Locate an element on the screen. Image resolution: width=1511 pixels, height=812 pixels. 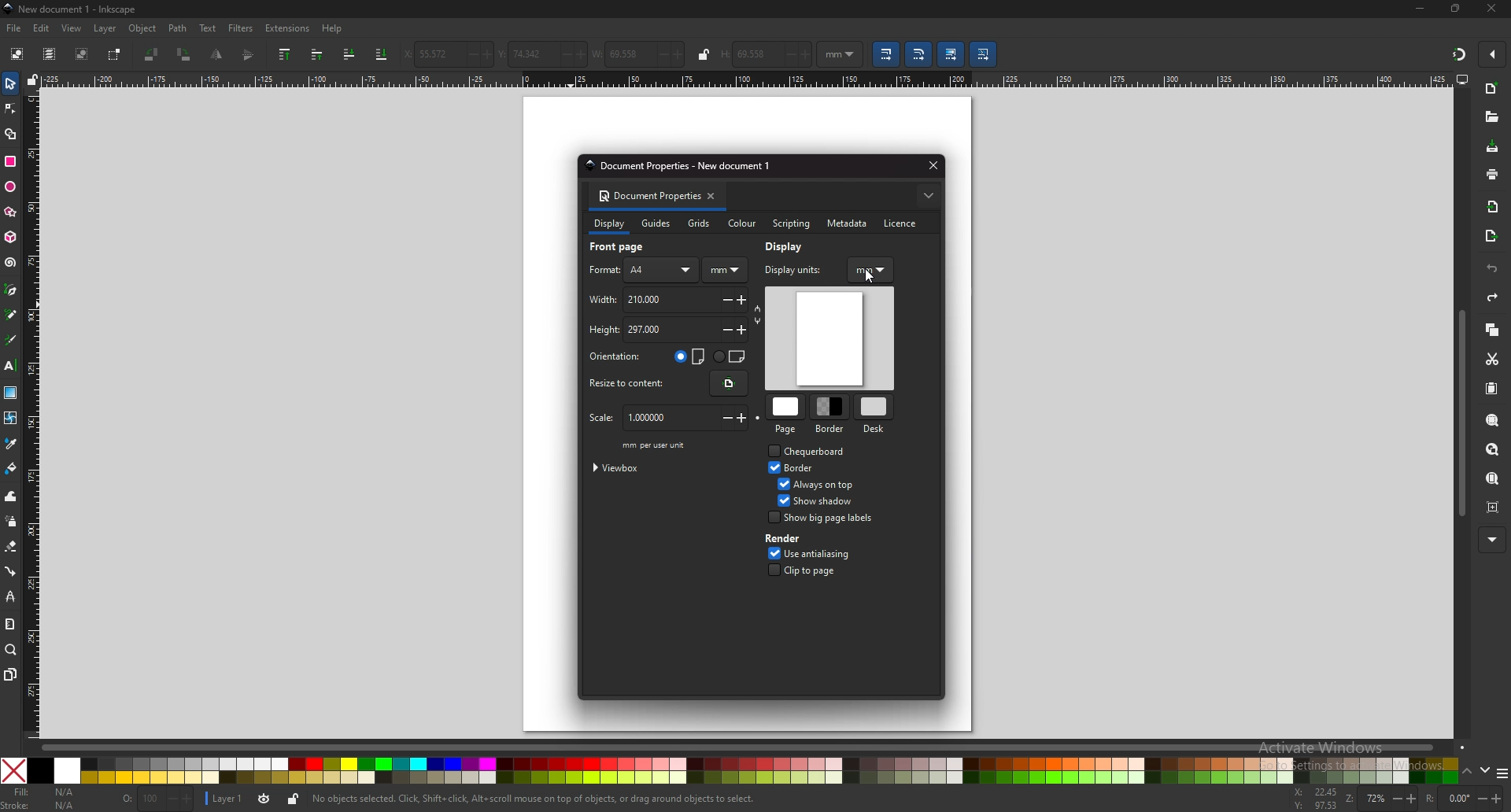
metadata is located at coordinates (848, 224).